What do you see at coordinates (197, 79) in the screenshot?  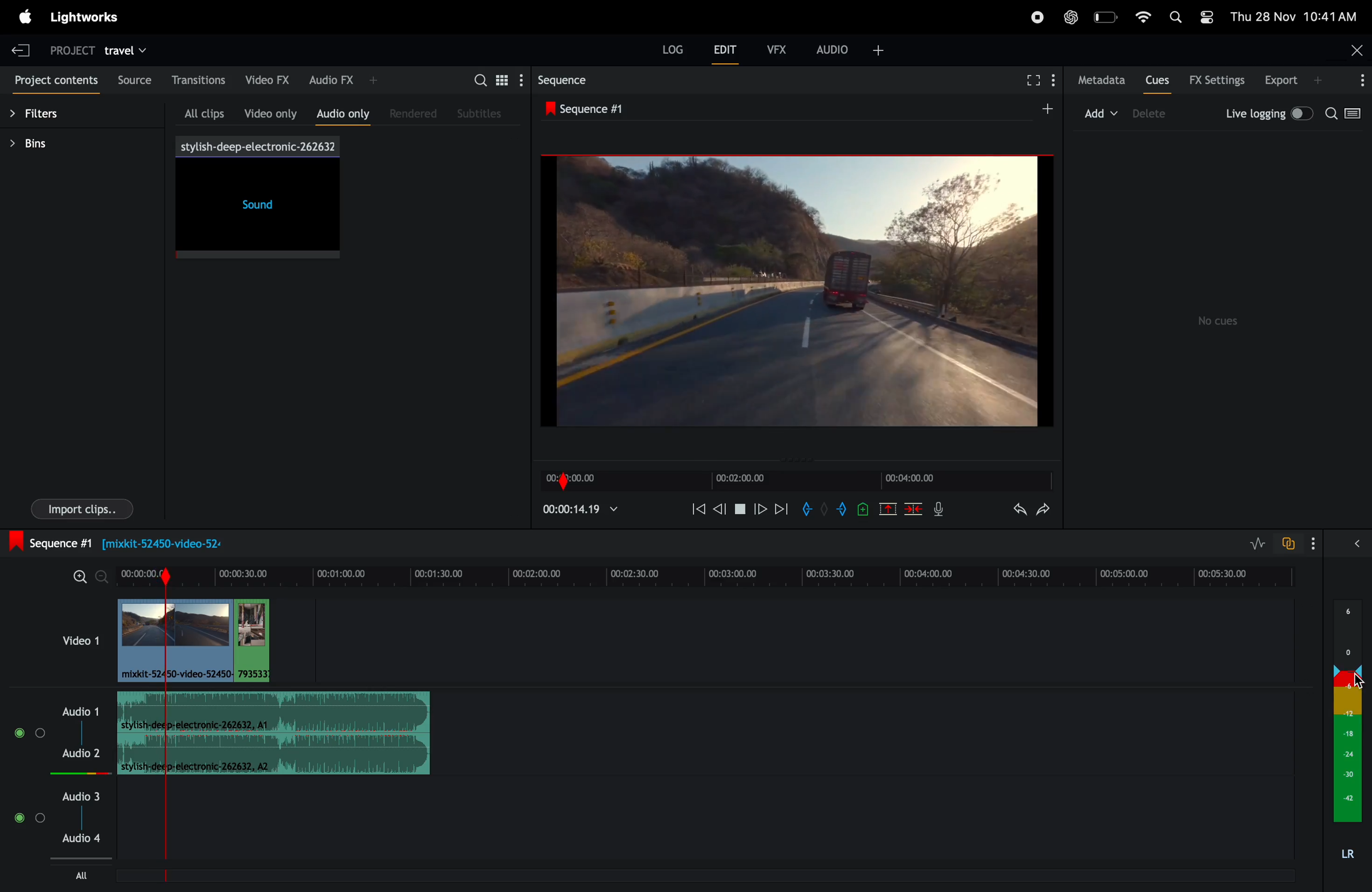 I see `transations` at bounding box center [197, 79].